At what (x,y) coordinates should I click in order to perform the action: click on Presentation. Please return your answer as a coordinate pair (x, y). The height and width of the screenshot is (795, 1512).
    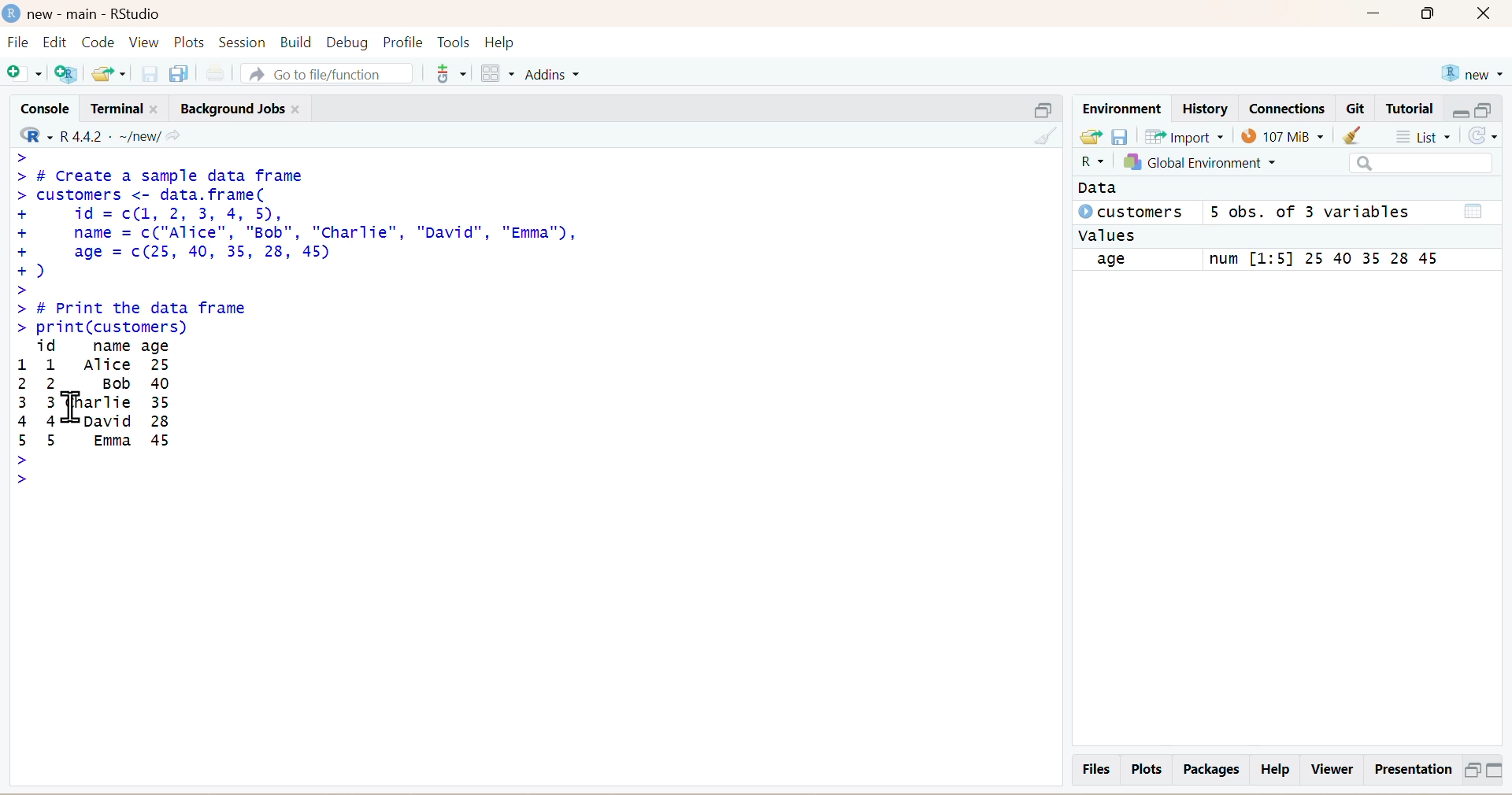
    Looking at the image, I should click on (1410, 770).